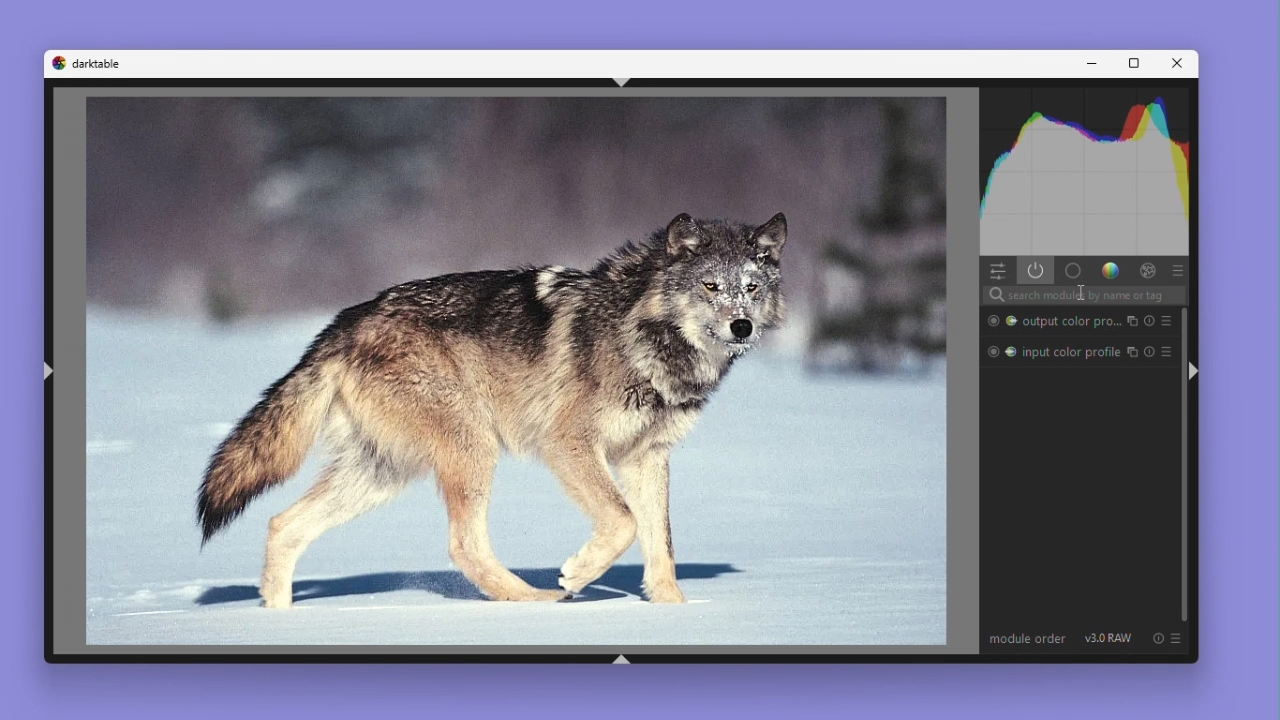 The height and width of the screenshot is (720, 1280). I want to click on Power Button, so click(1036, 270).